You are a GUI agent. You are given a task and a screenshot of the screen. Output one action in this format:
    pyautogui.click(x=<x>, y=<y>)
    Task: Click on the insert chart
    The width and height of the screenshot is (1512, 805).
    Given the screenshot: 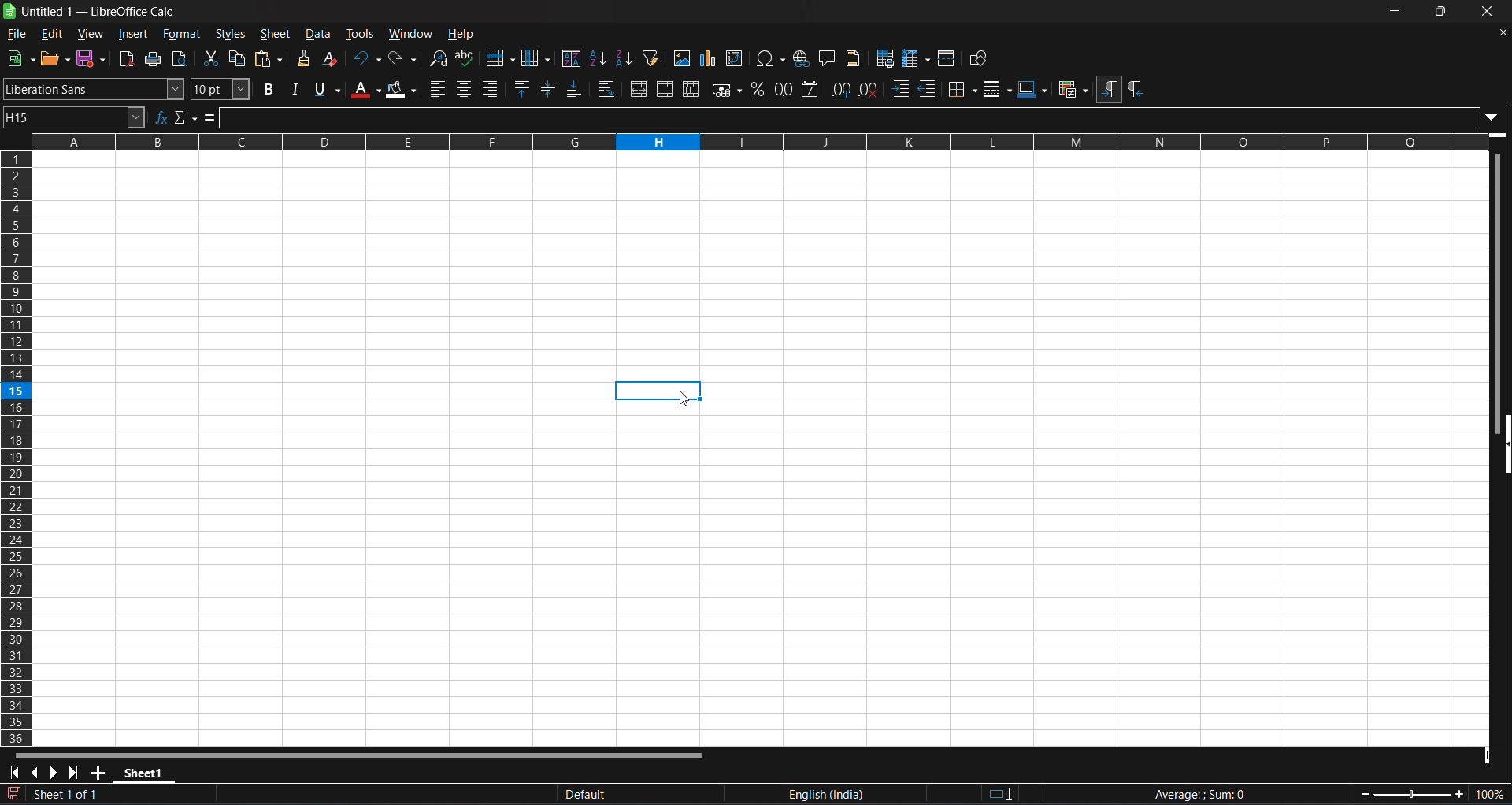 What is the action you would take?
    pyautogui.click(x=708, y=59)
    